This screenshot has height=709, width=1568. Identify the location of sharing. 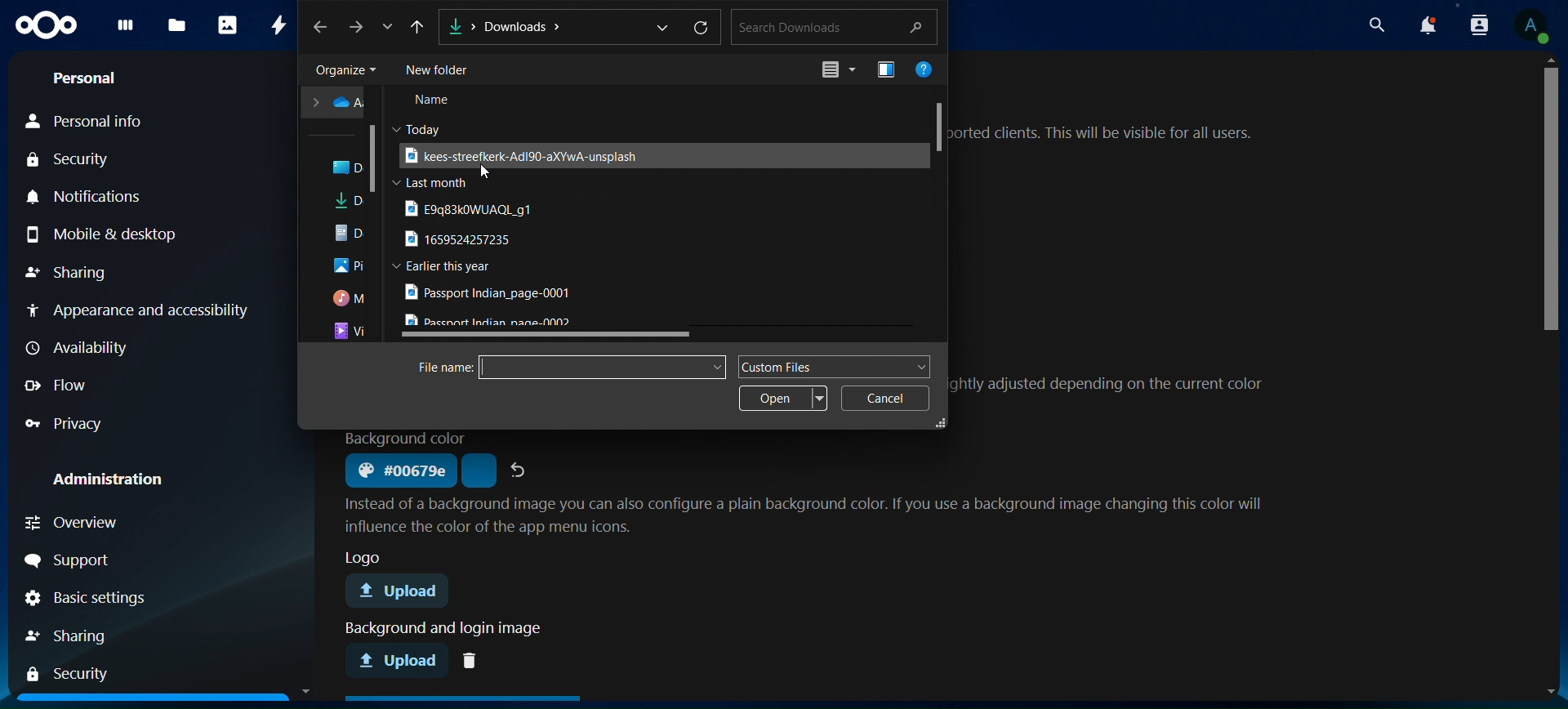
(78, 272).